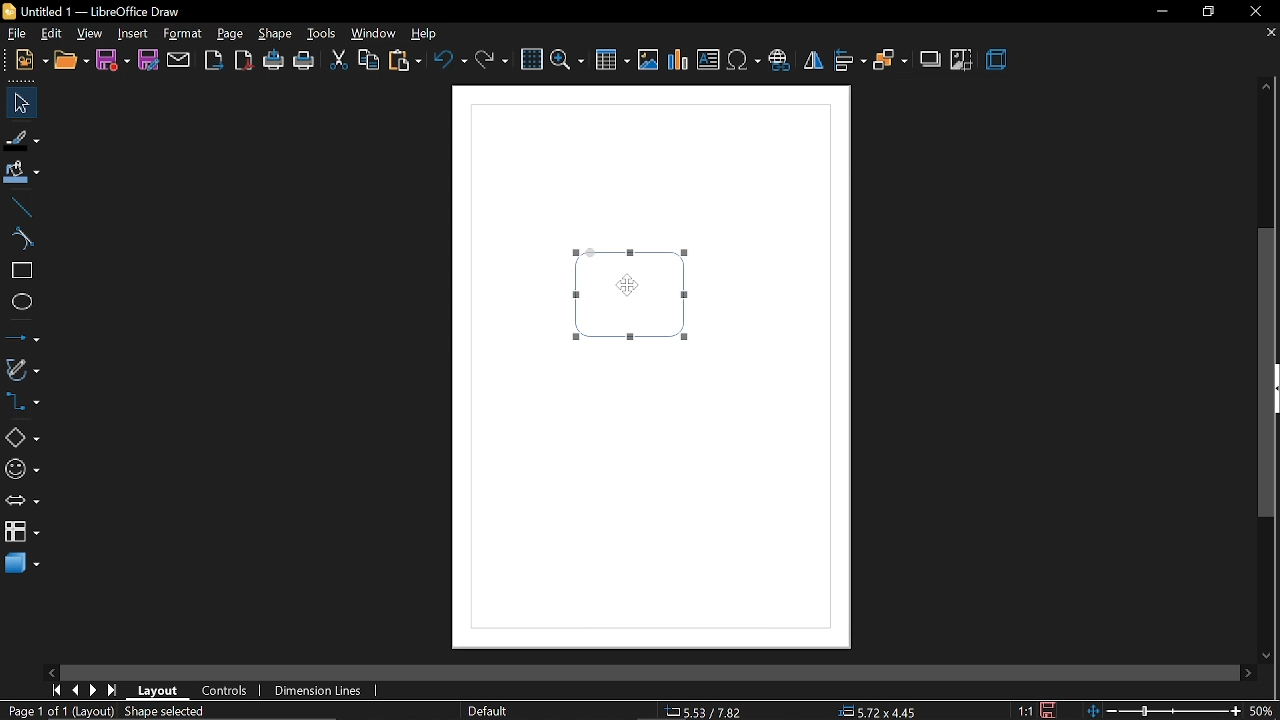  Describe the element at coordinates (277, 35) in the screenshot. I see `shape` at that location.